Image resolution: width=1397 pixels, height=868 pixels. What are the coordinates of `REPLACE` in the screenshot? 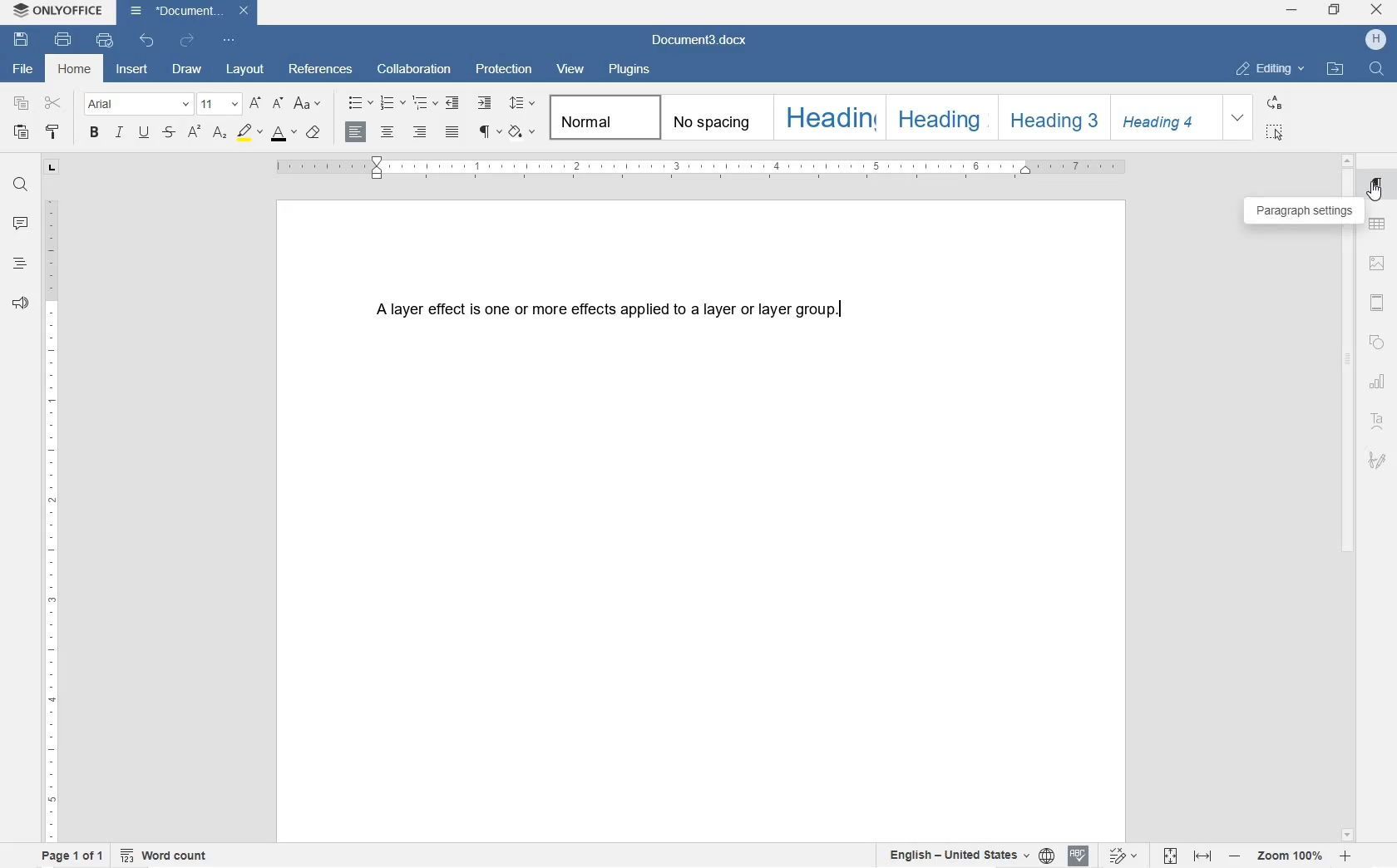 It's located at (1273, 101).